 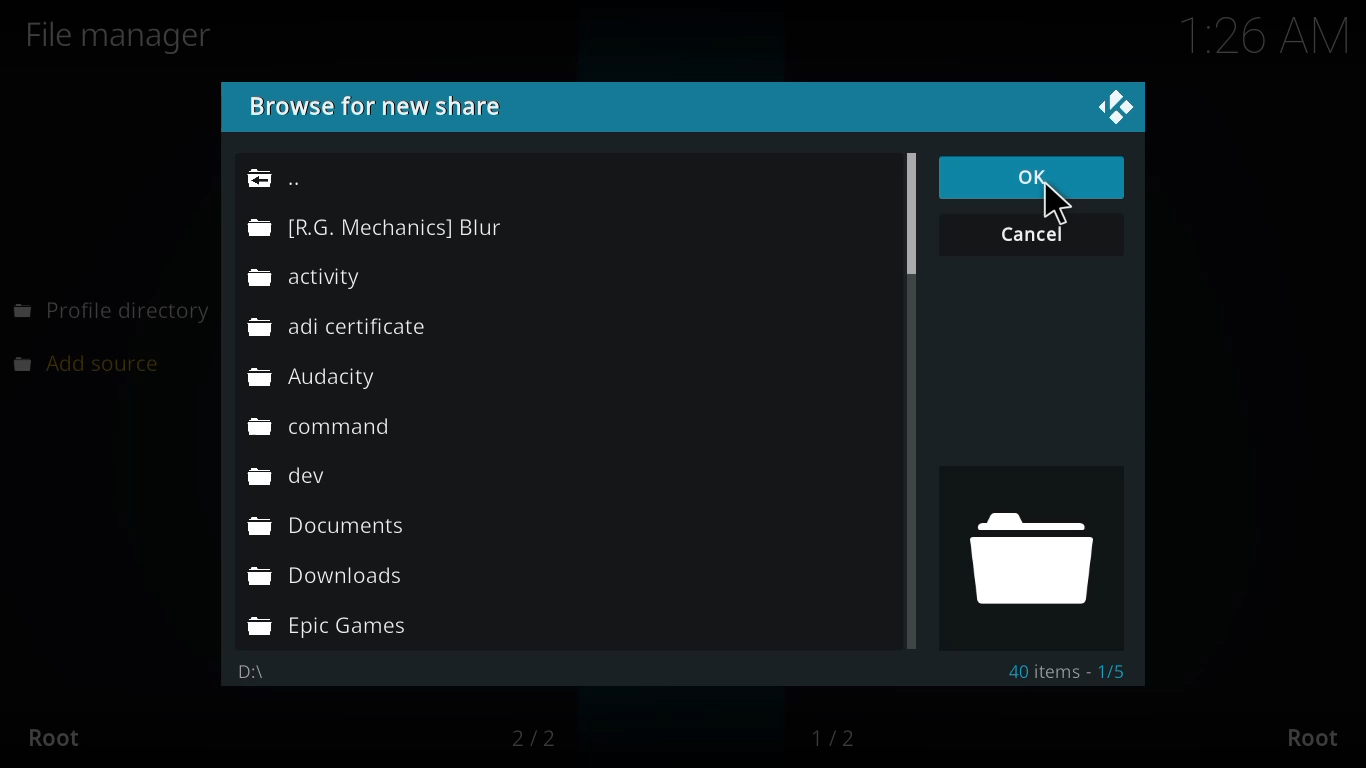 What do you see at coordinates (1033, 176) in the screenshot?
I see `ok` at bounding box center [1033, 176].